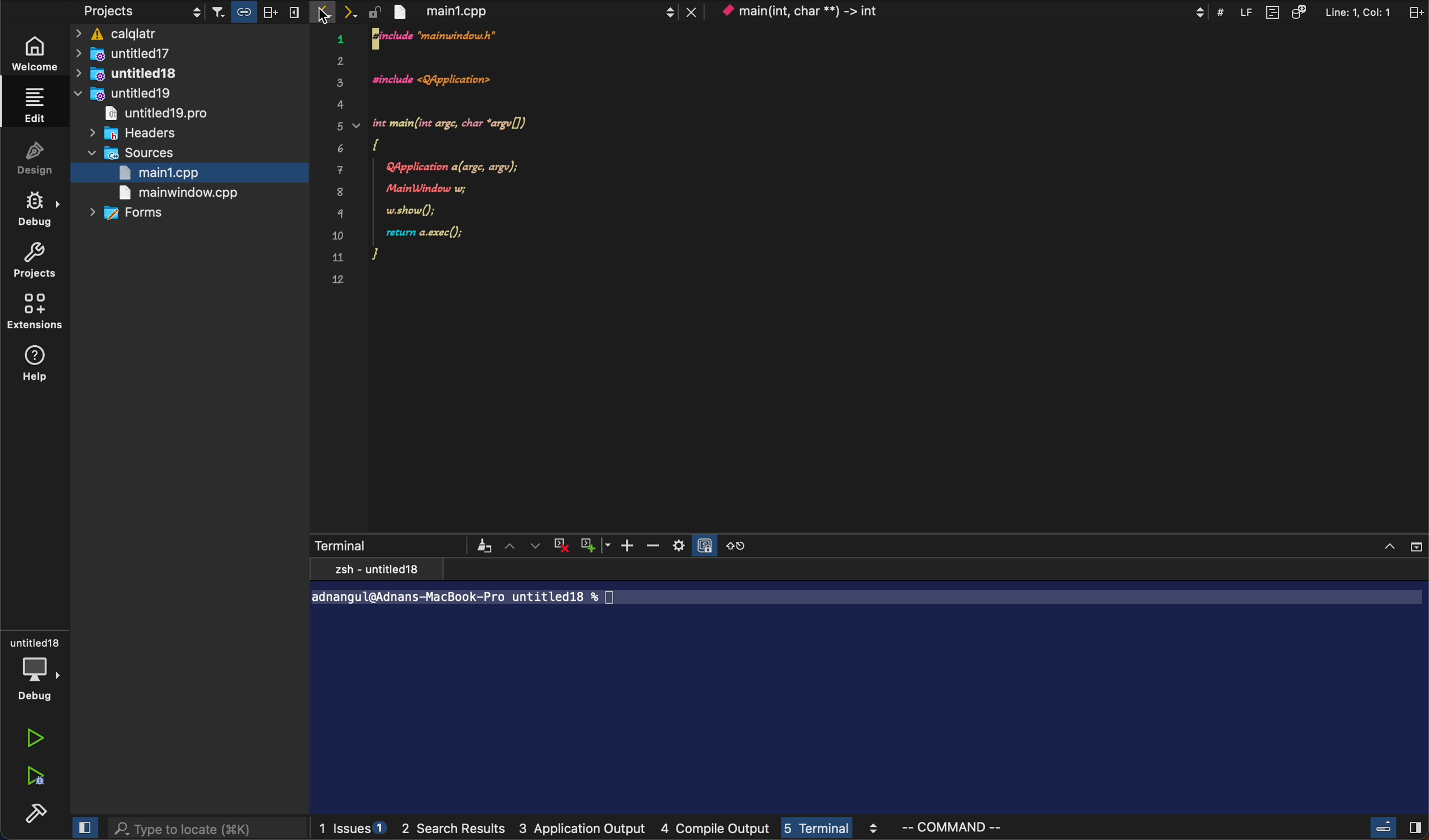 The height and width of the screenshot is (840, 1429). What do you see at coordinates (192, 35) in the screenshot?
I see `calqlatr` at bounding box center [192, 35].